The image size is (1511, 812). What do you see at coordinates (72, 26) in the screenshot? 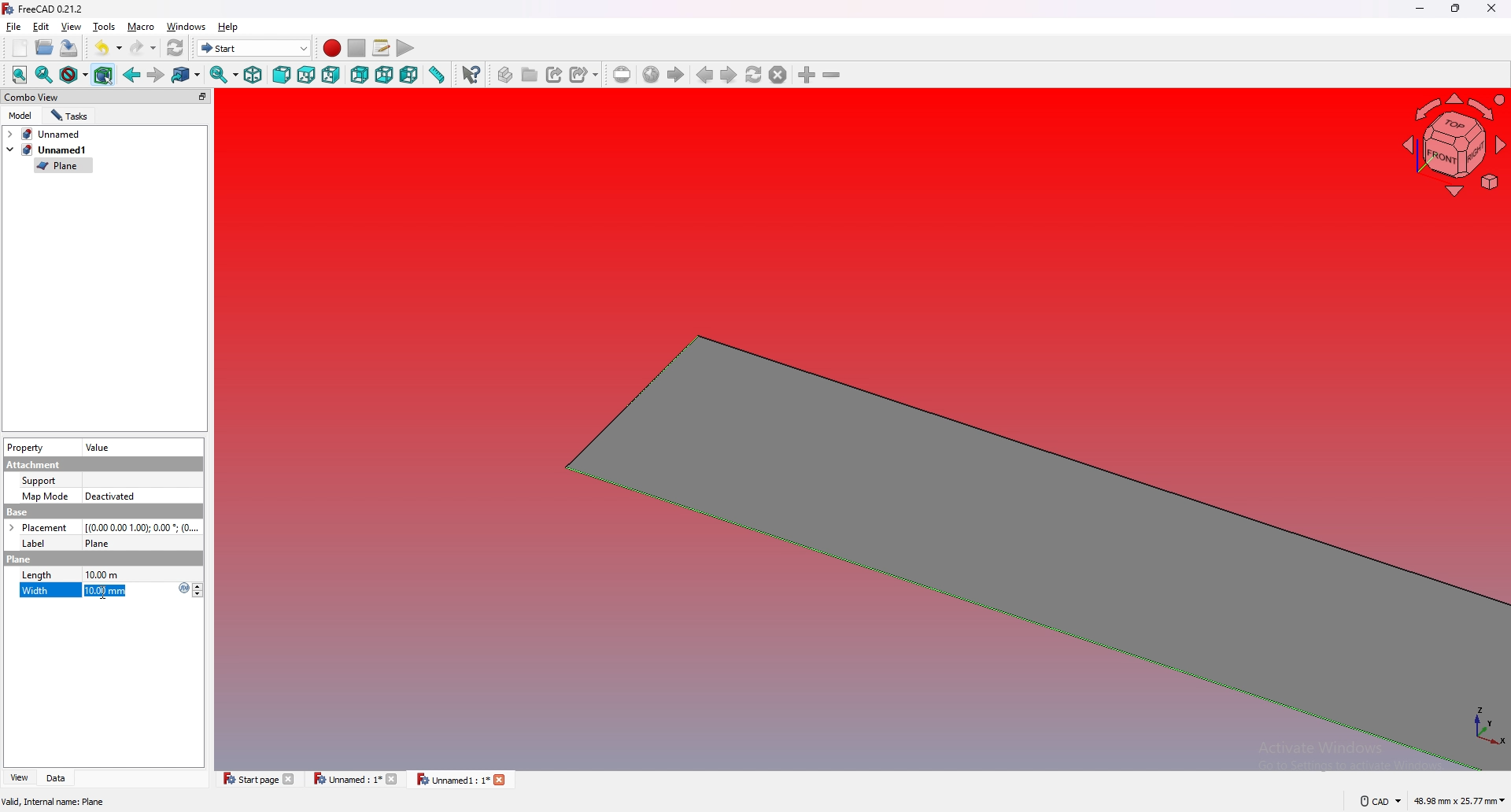
I see `view` at bounding box center [72, 26].